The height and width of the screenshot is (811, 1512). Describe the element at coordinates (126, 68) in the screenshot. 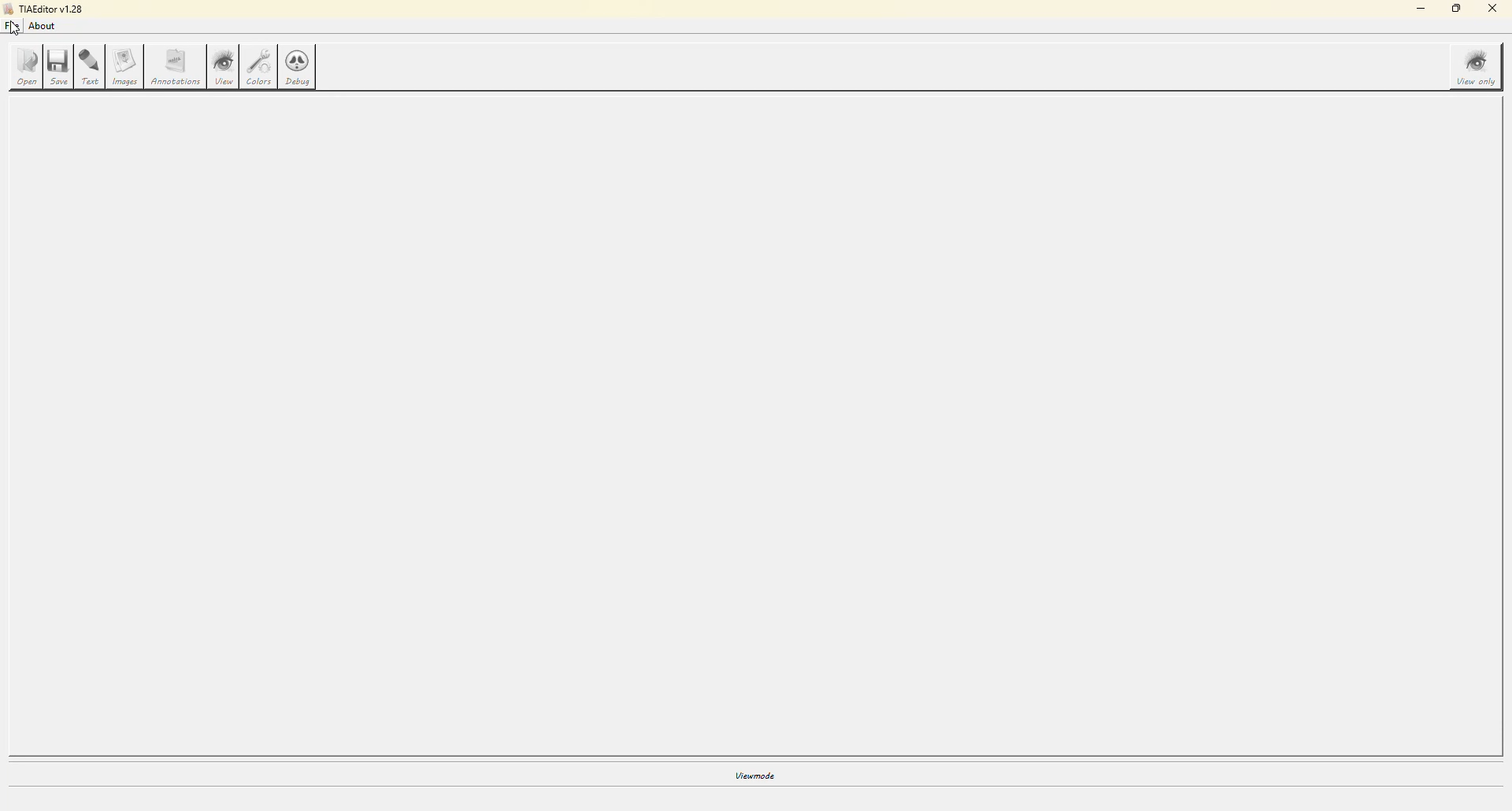

I see `images` at that location.